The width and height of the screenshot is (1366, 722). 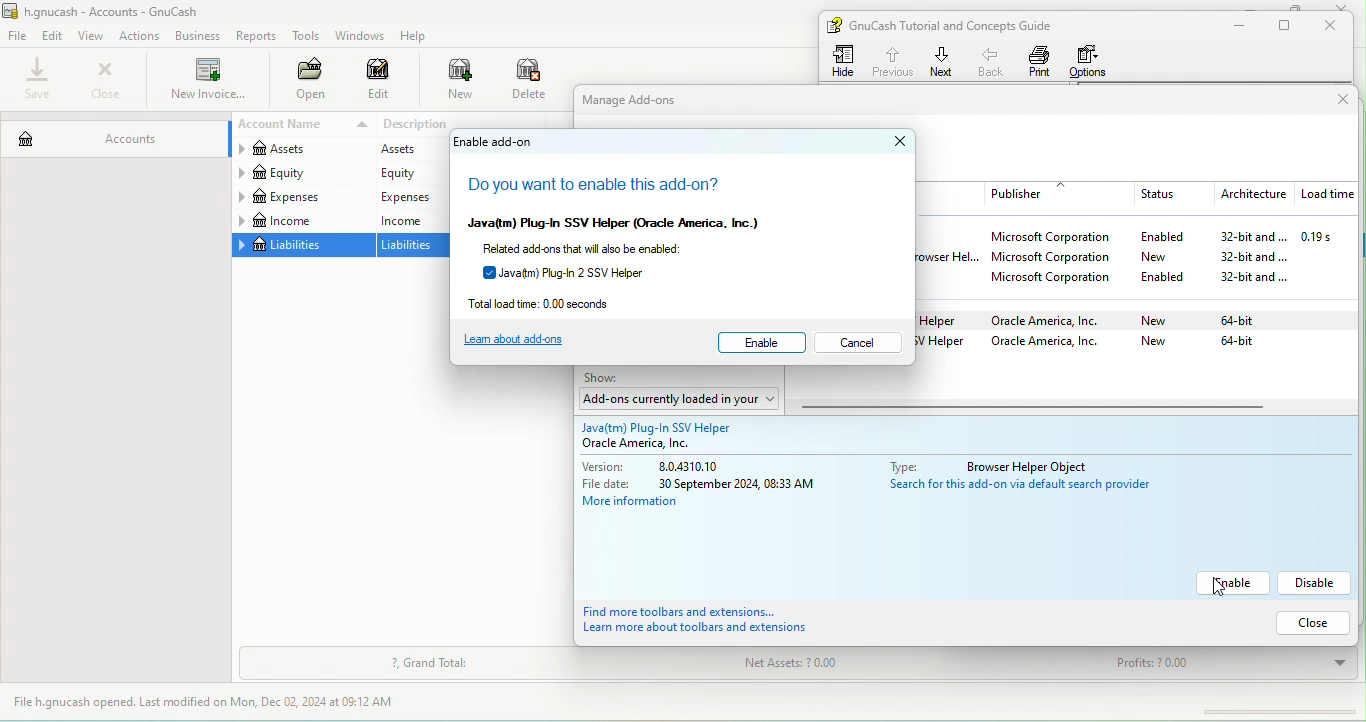 I want to click on reports, so click(x=258, y=36).